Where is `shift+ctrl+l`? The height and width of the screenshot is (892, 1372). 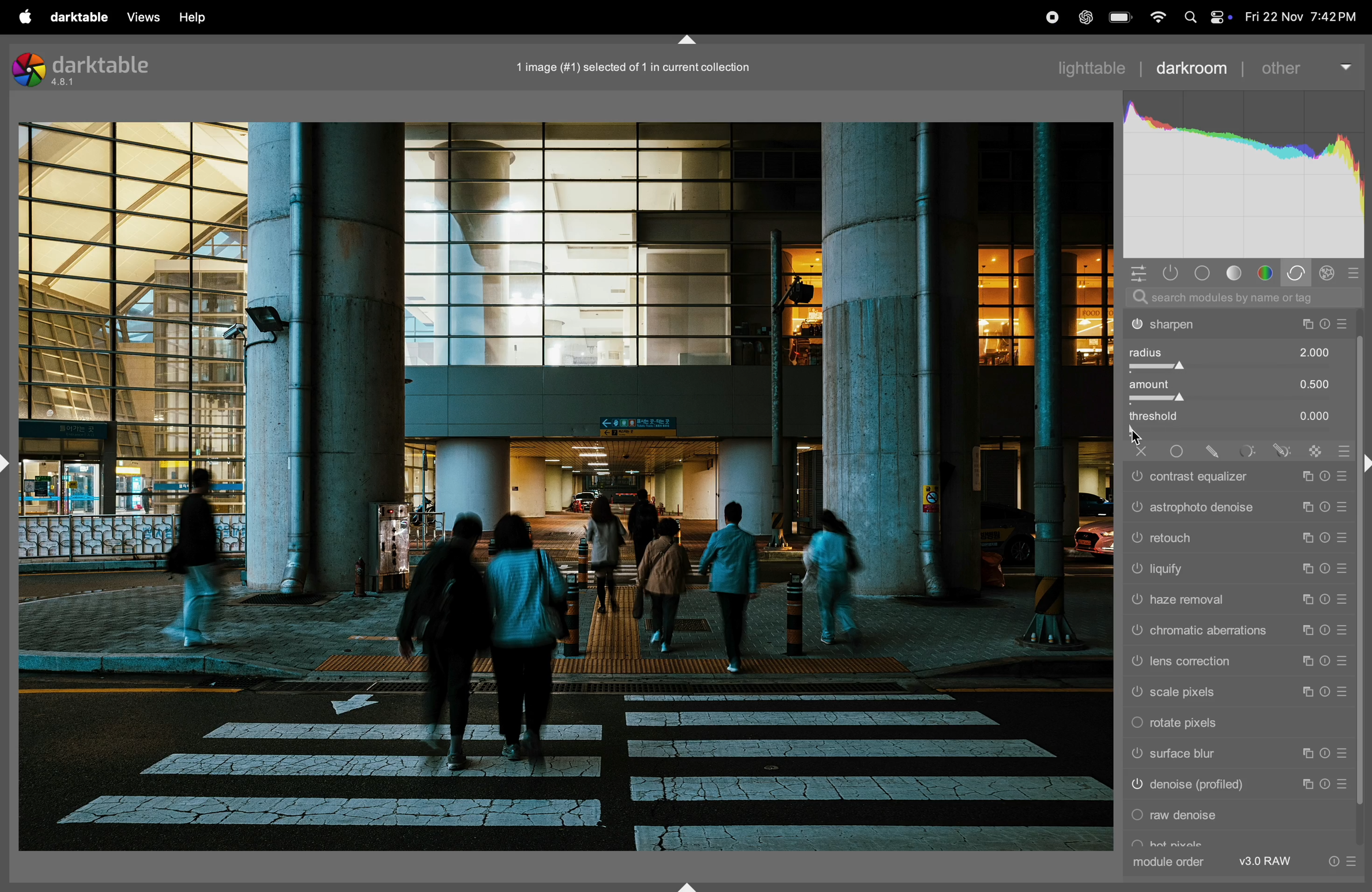 shift+ctrl+l is located at coordinates (10, 464).